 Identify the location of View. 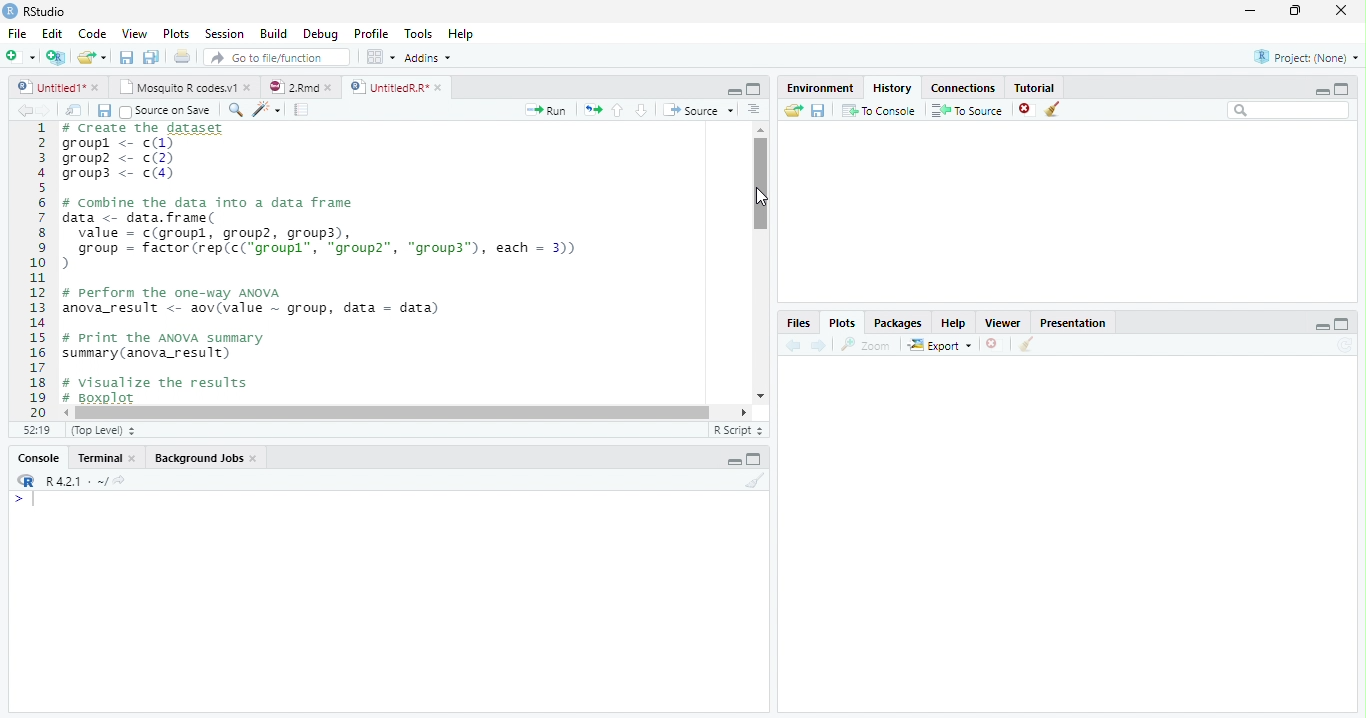
(134, 35).